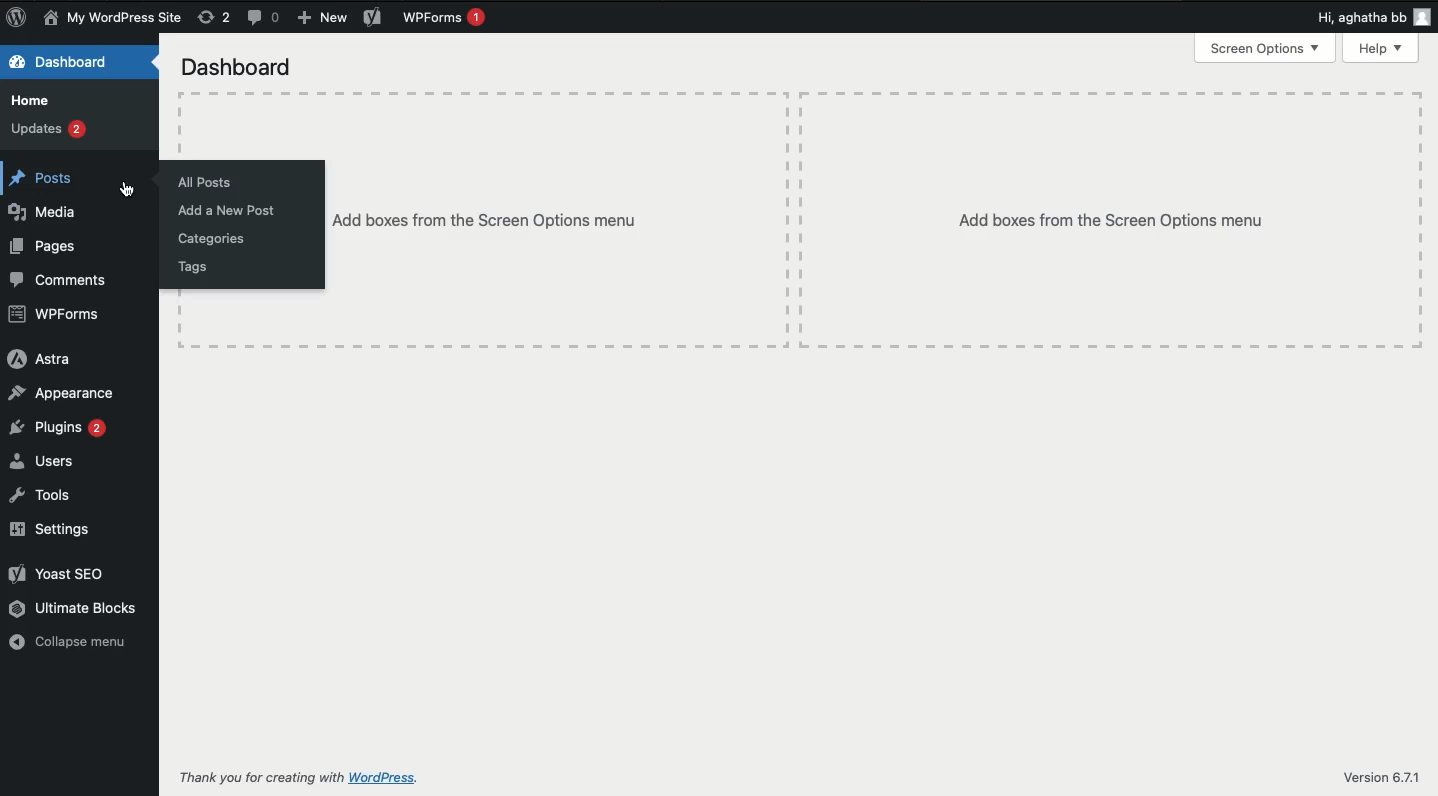  What do you see at coordinates (74, 644) in the screenshot?
I see `Collapse menu` at bounding box center [74, 644].